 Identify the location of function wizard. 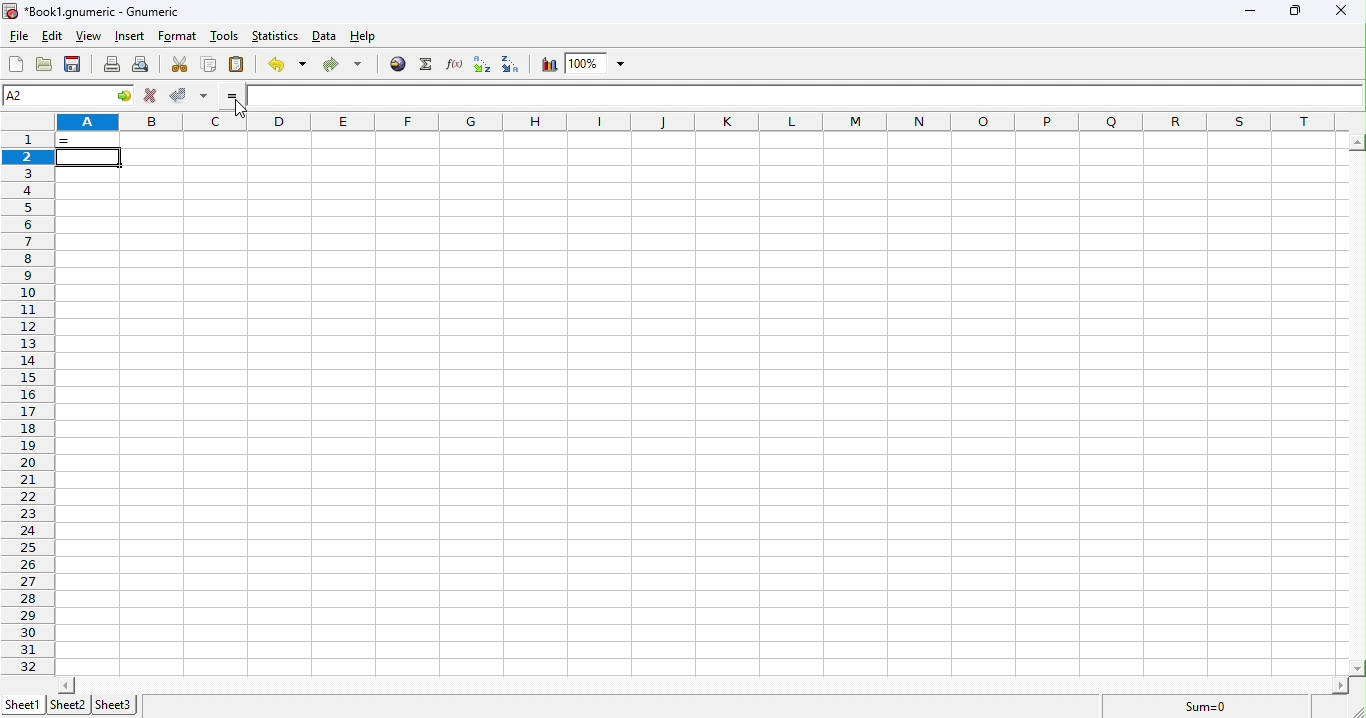
(455, 64).